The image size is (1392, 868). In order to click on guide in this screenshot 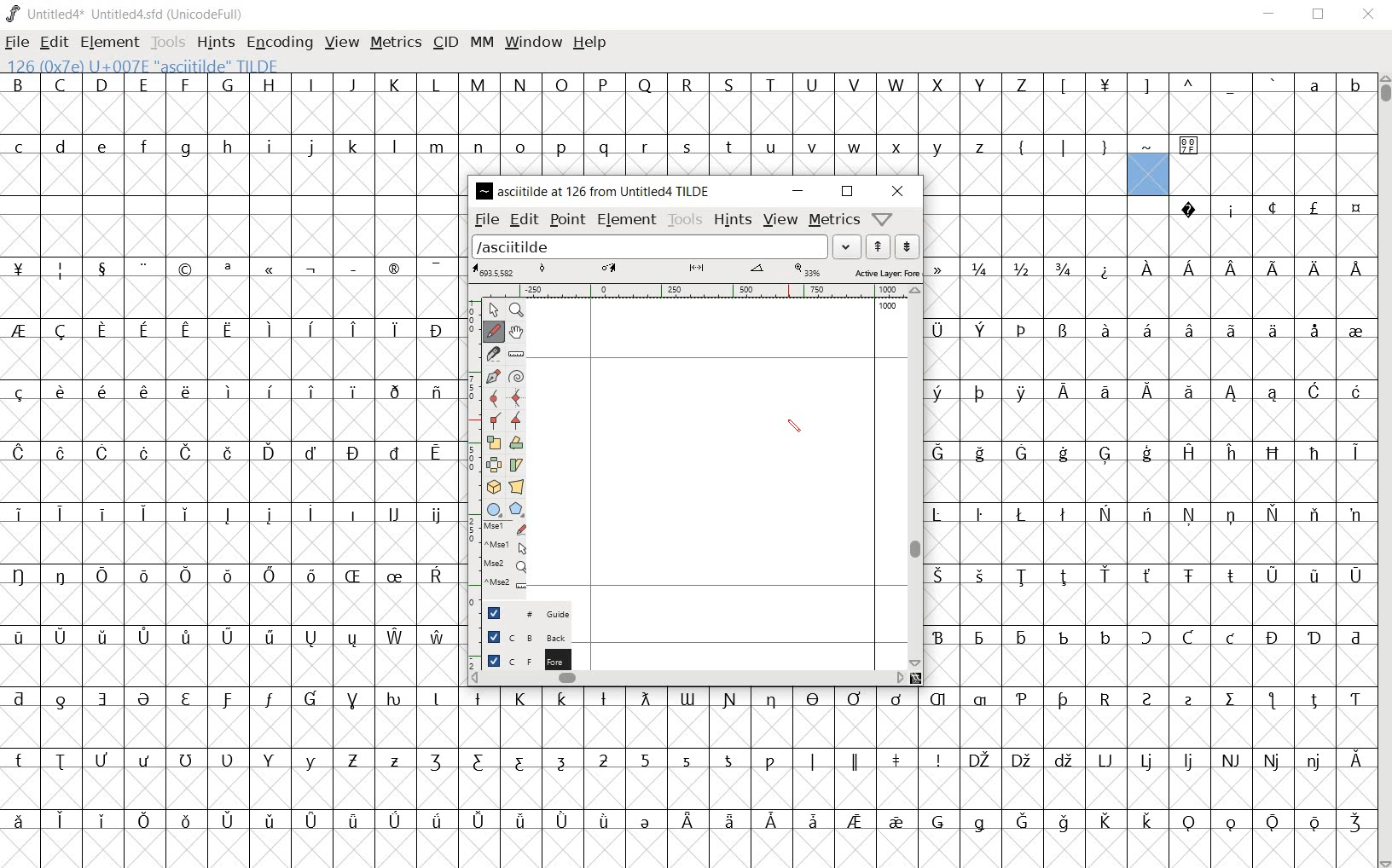, I will do `click(518, 610)`.